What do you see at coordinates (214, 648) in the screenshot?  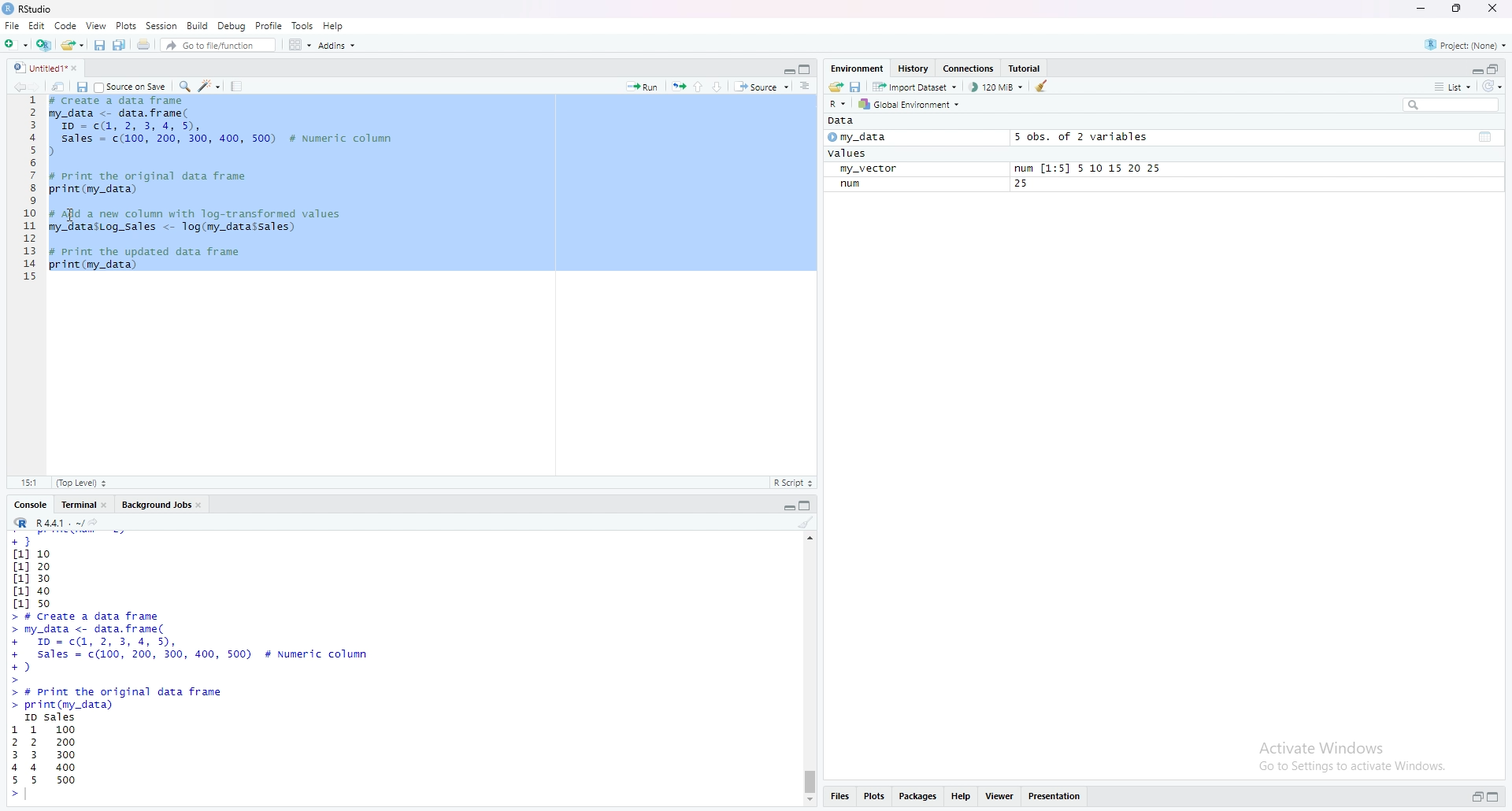 I see `sales & id data frame` at bounding box center [214, 648].